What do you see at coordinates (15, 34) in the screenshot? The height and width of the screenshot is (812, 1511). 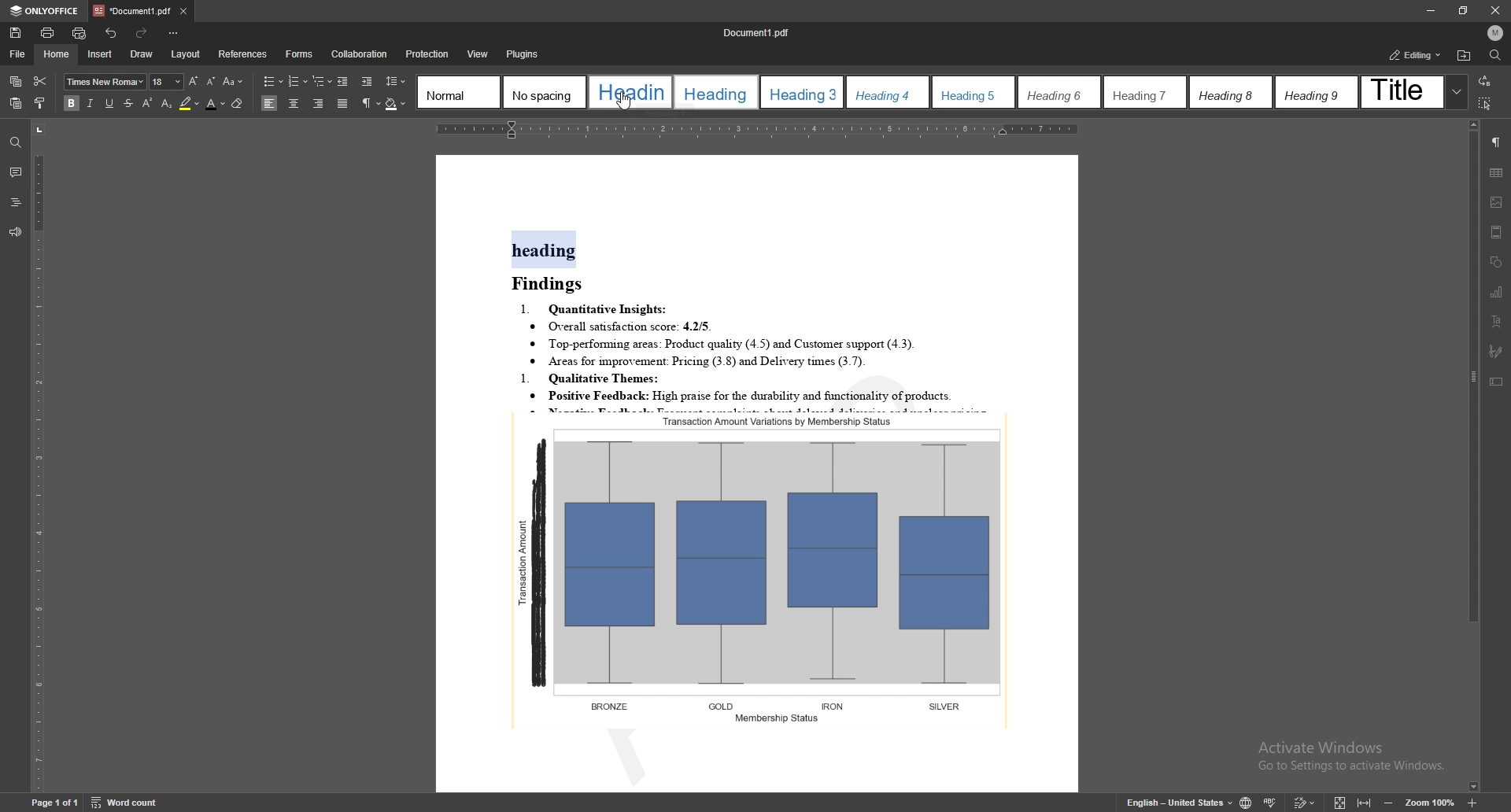 I see `save` at bounding box center [15, 34].